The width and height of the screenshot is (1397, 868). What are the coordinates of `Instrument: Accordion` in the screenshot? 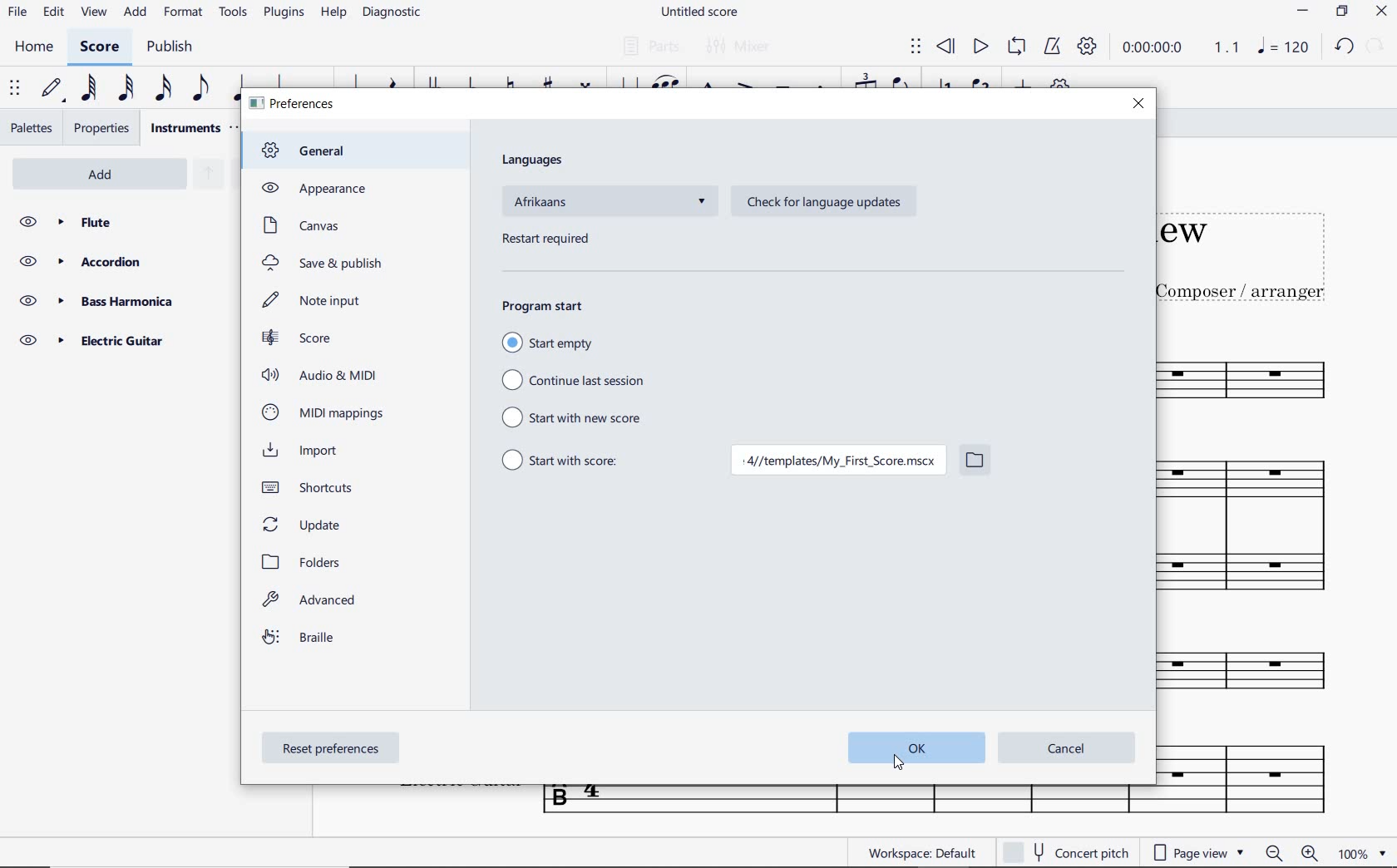 It's located at (1264, 534).